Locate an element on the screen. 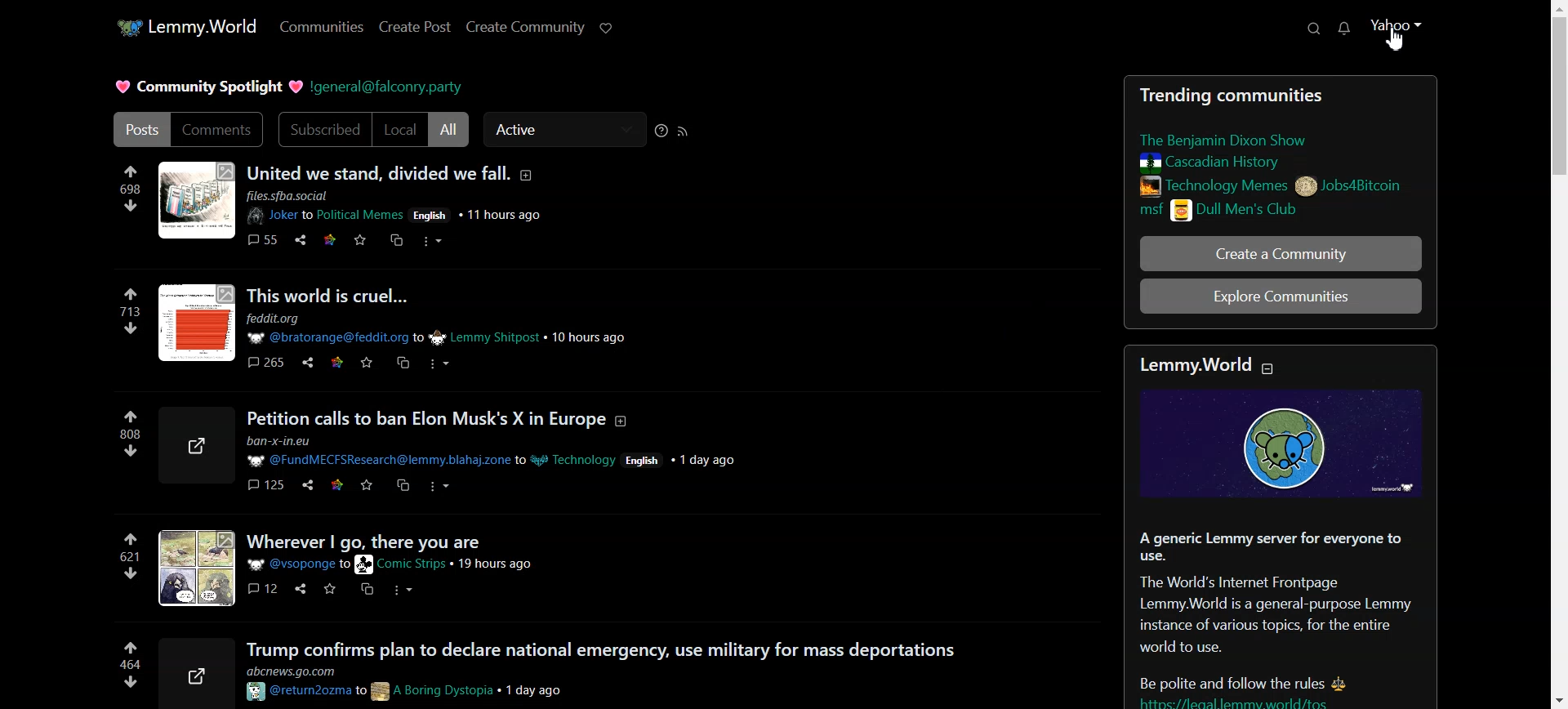  Collapse is located at coordinates (1271, 370).